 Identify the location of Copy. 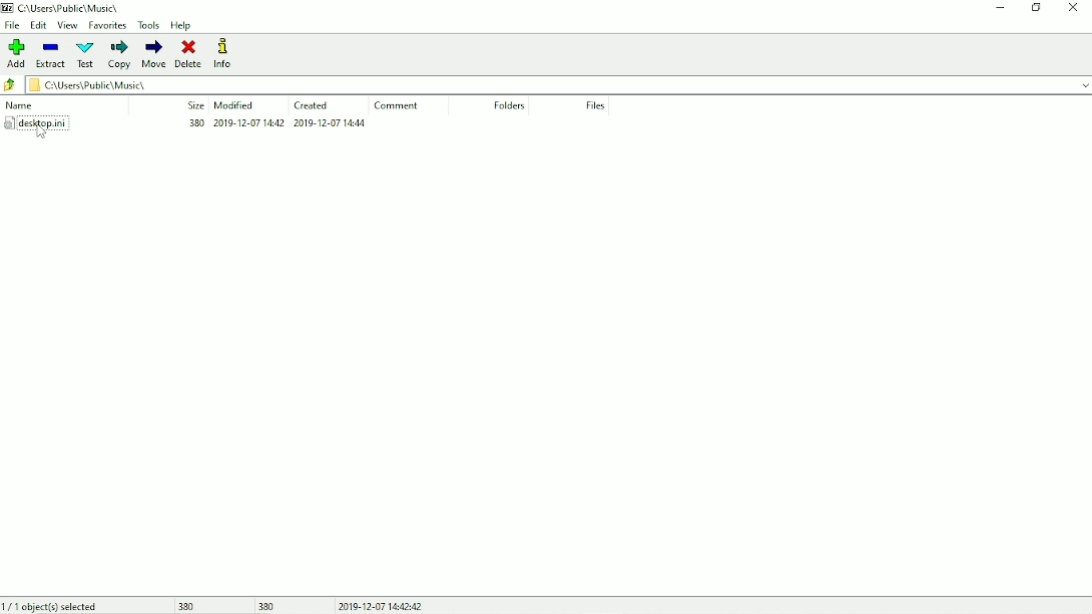
(119, 55).